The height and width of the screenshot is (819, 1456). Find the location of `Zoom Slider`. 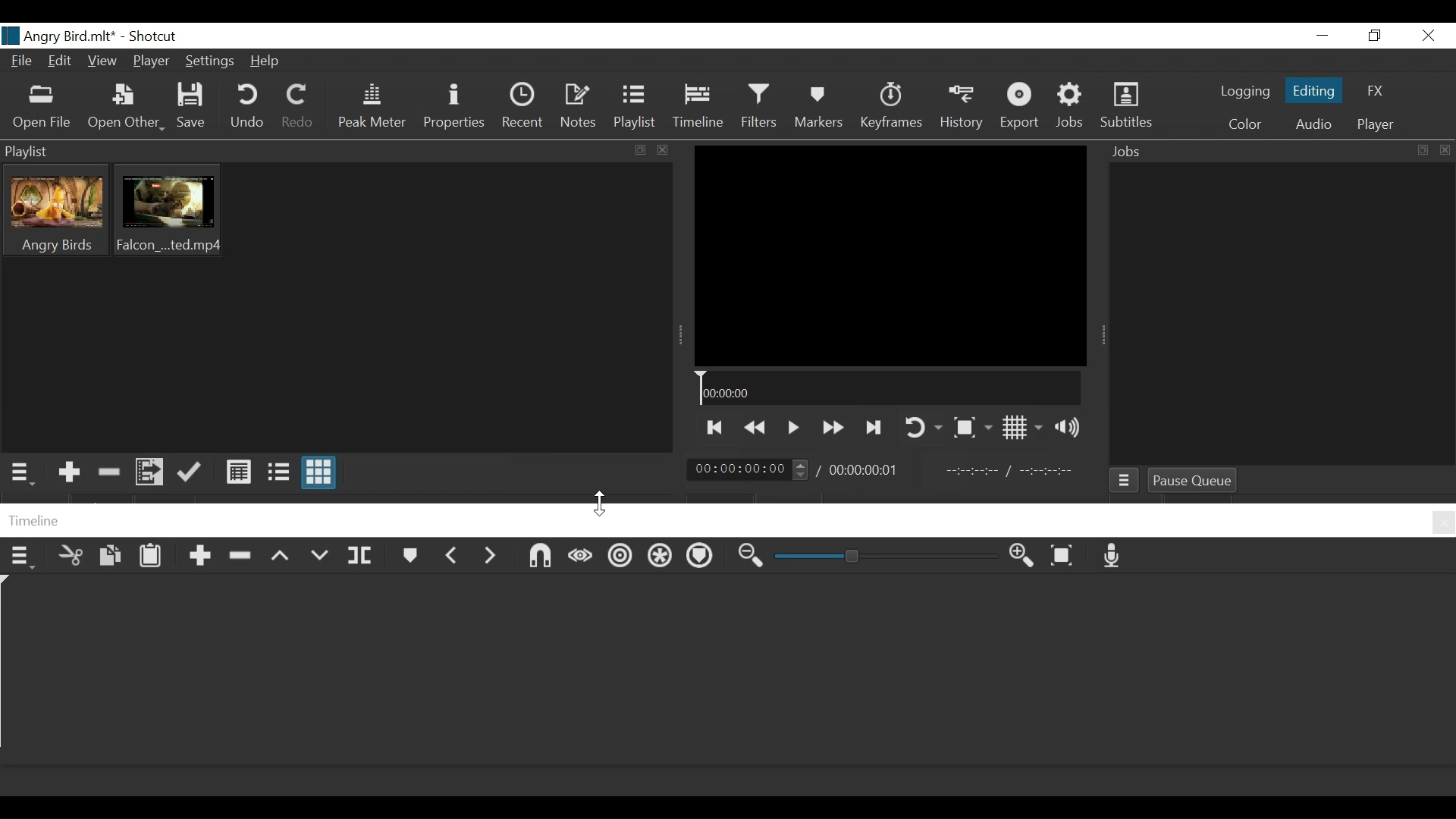

Zoom Slider is located at coordinates (882, 557).